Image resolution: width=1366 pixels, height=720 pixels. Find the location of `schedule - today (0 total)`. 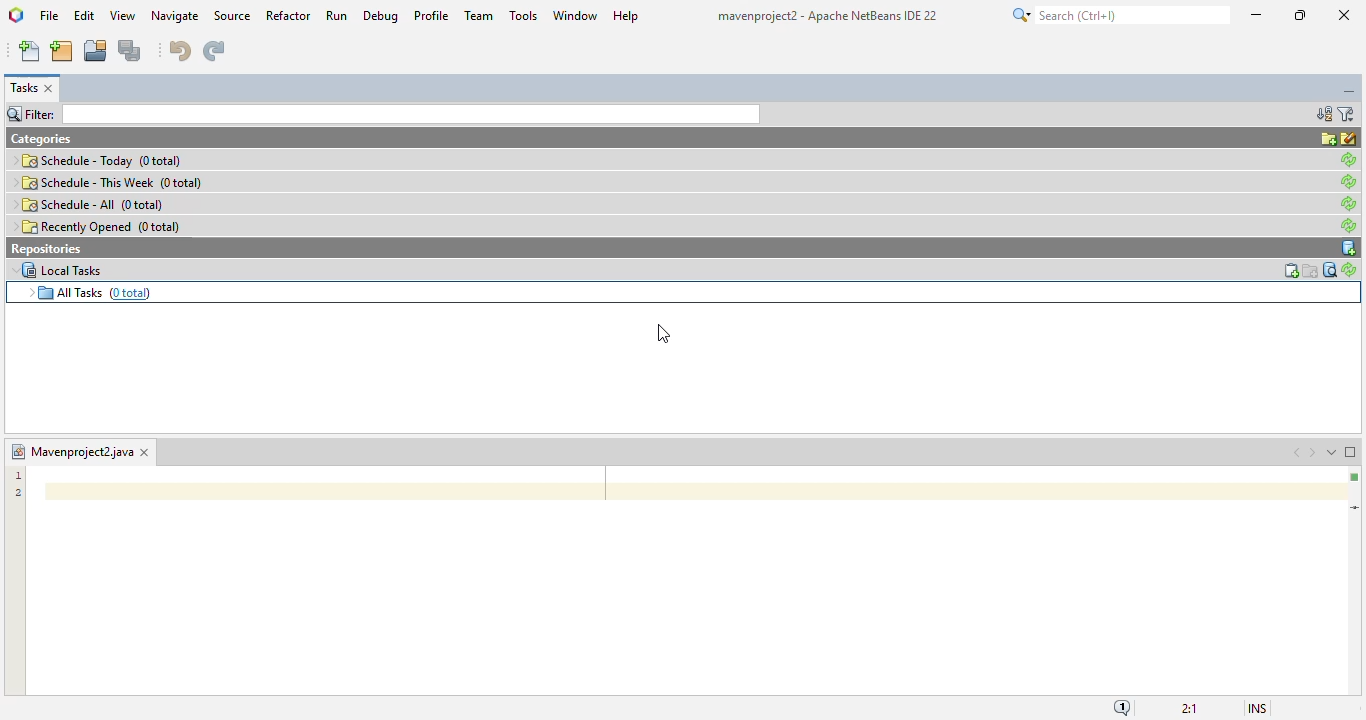

schedule - today (0 total) is located at coordinates (98, 160).